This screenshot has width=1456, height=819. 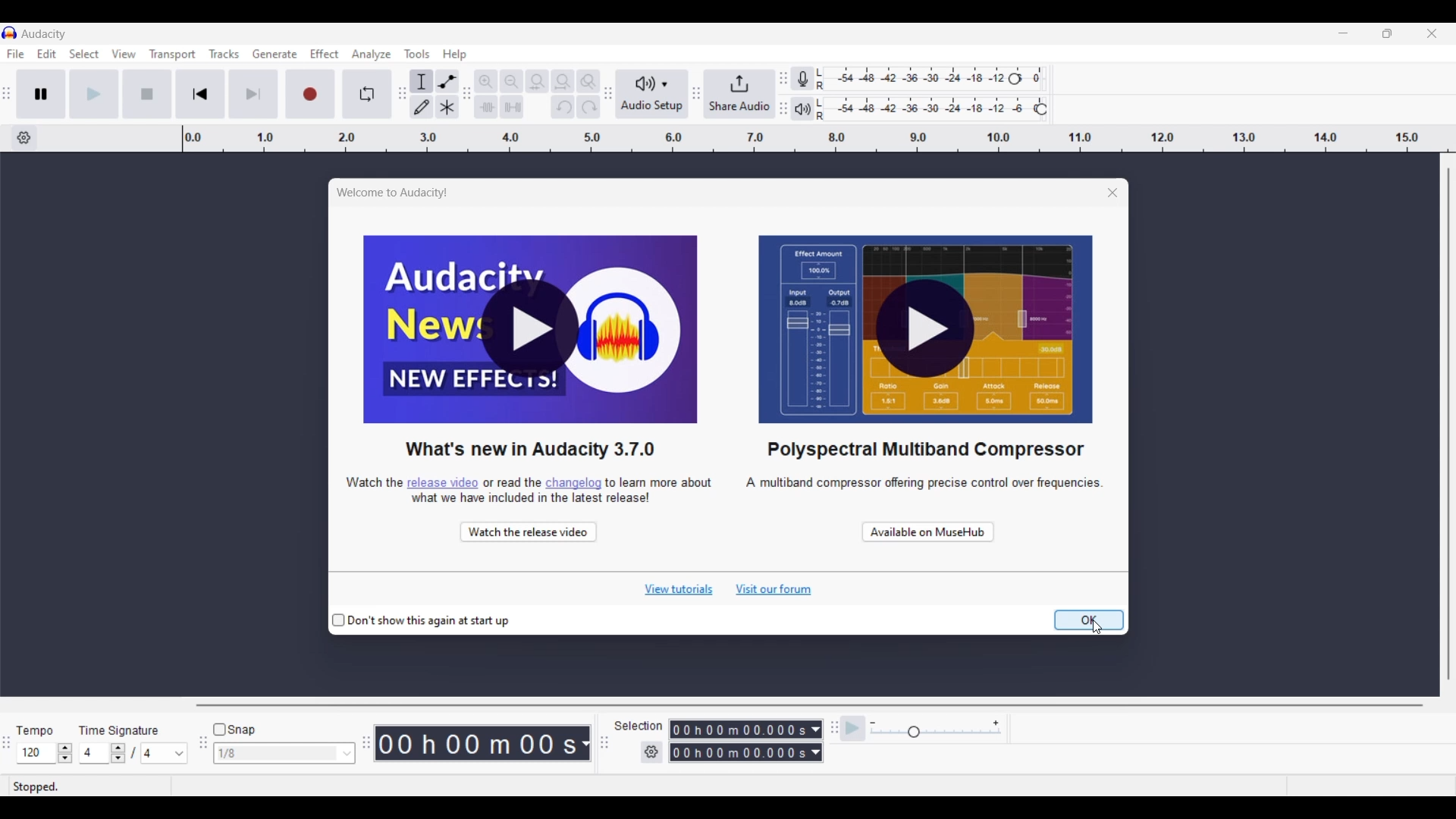 What do you see at coordinates (588, 81) in the screenshot?
I see `Zoom toggle` at bounding box center [588, 81].